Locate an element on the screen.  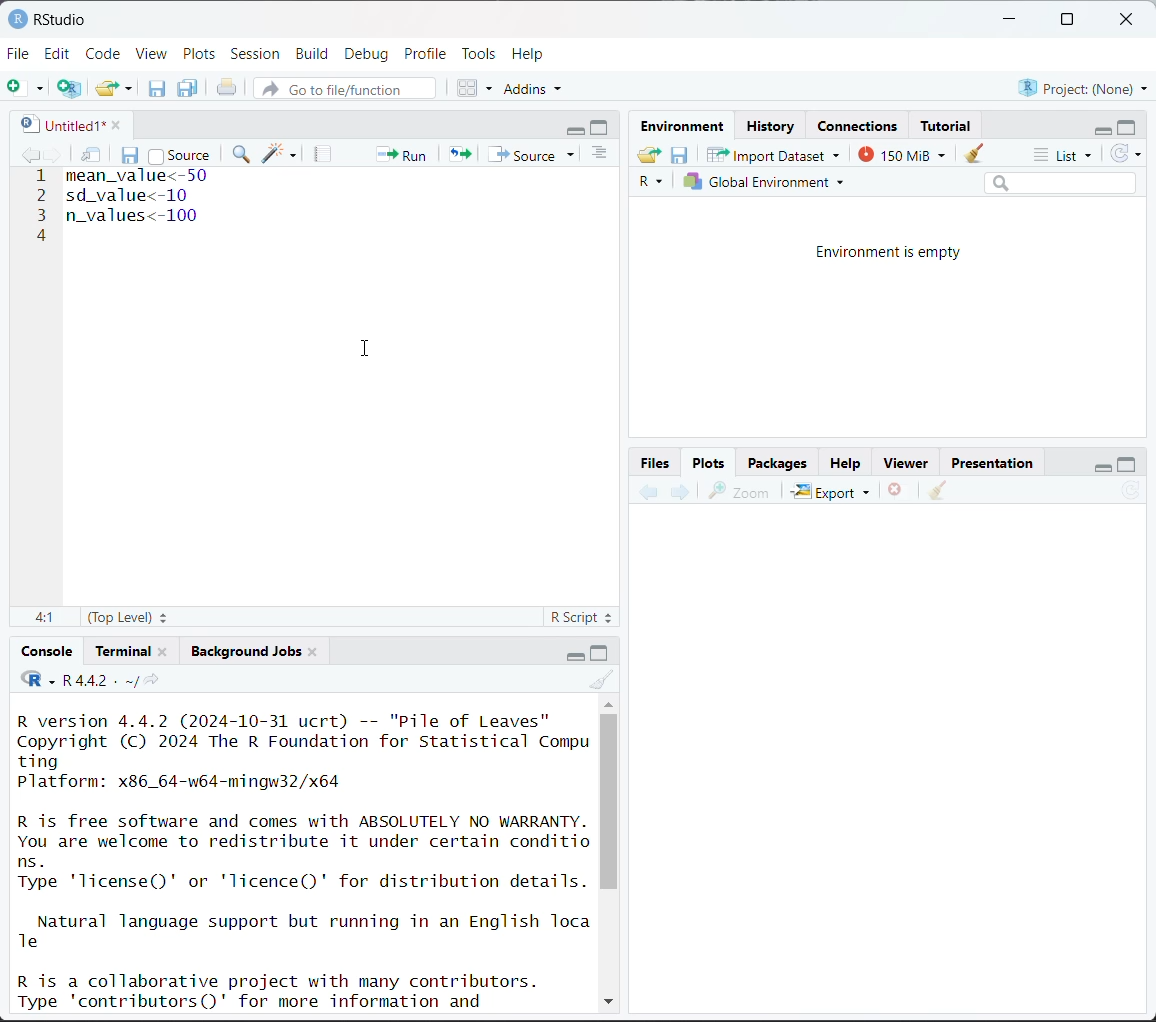
refresh current plot is located at coordinates (1131, 493).